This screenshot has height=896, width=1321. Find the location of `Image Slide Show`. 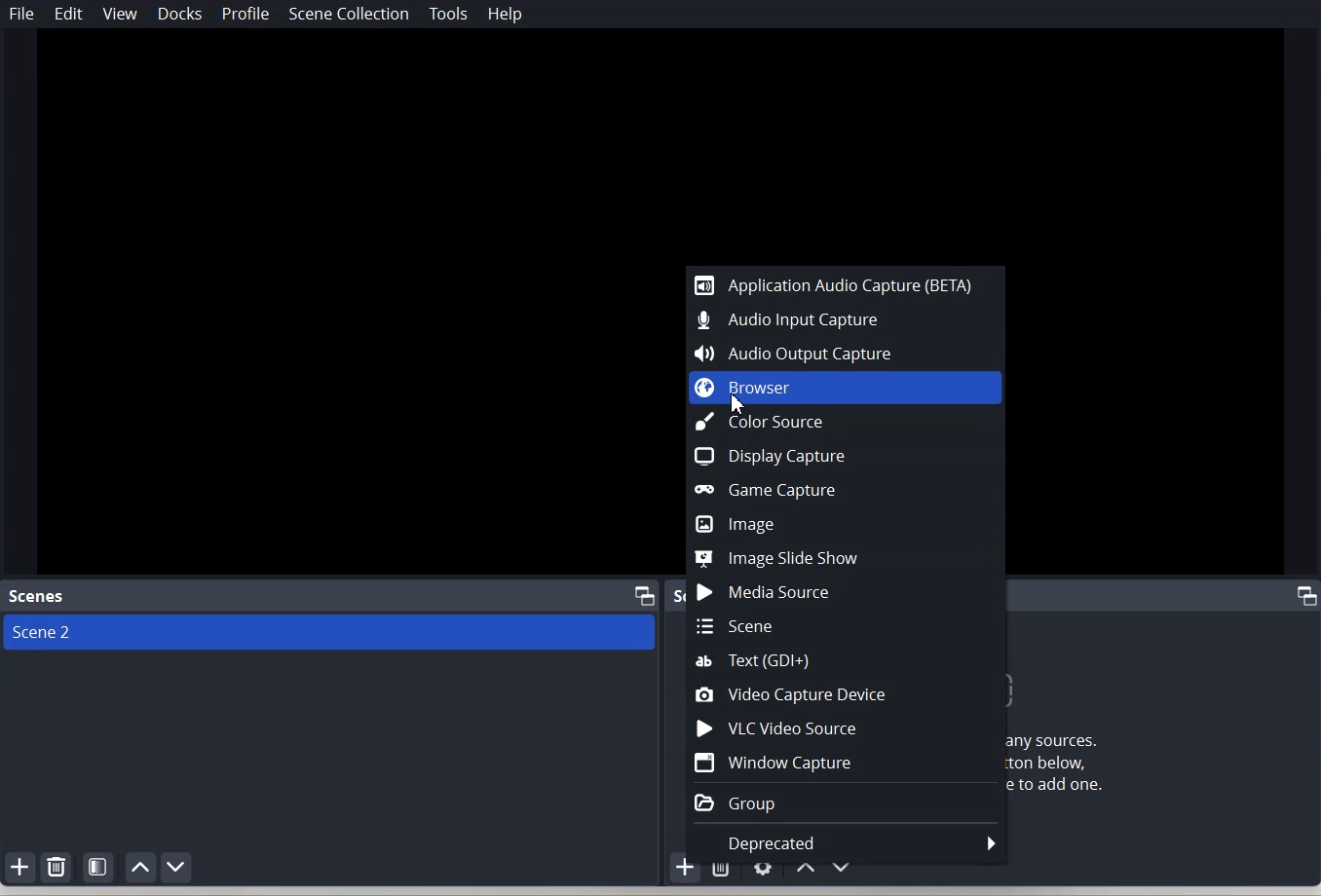

Image Slide Show is located at coordinates (847, 558).